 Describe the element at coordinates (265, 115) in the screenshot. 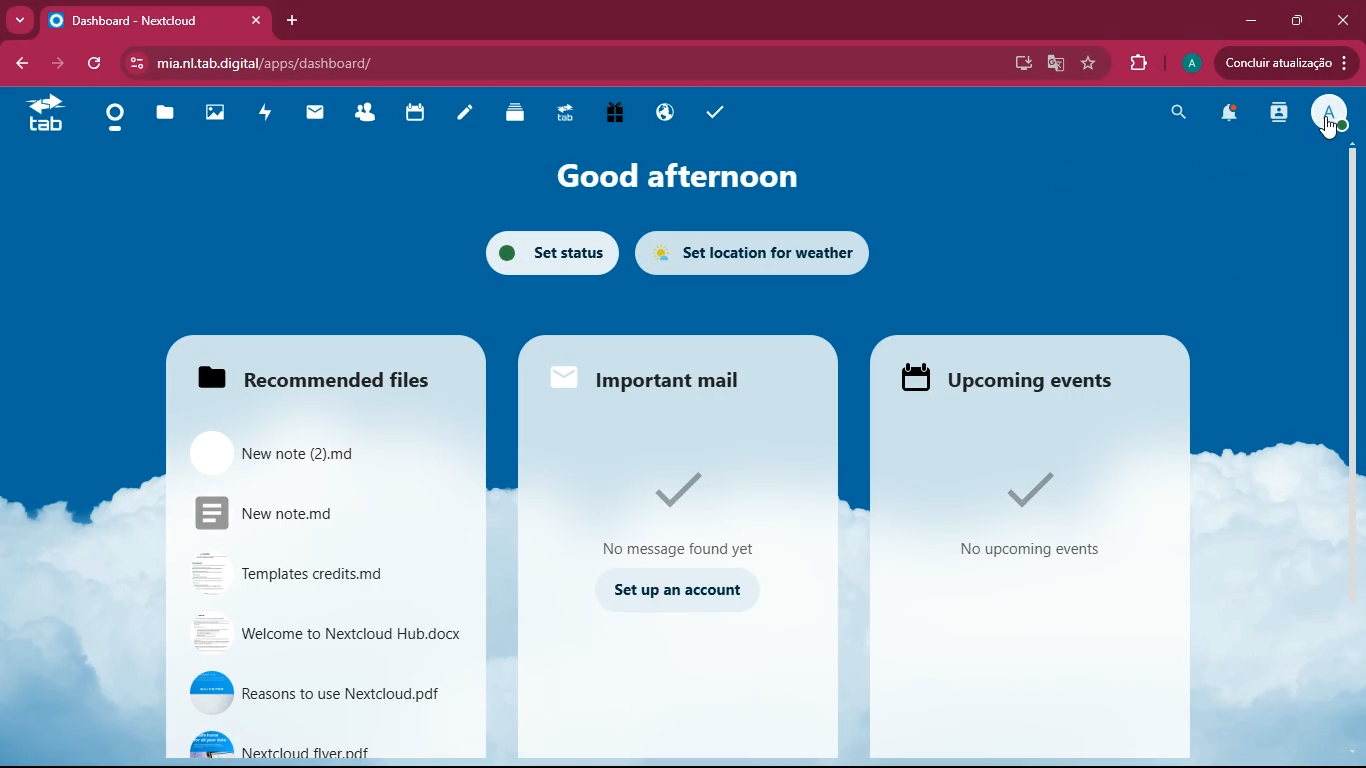

I see `activity` at that location.